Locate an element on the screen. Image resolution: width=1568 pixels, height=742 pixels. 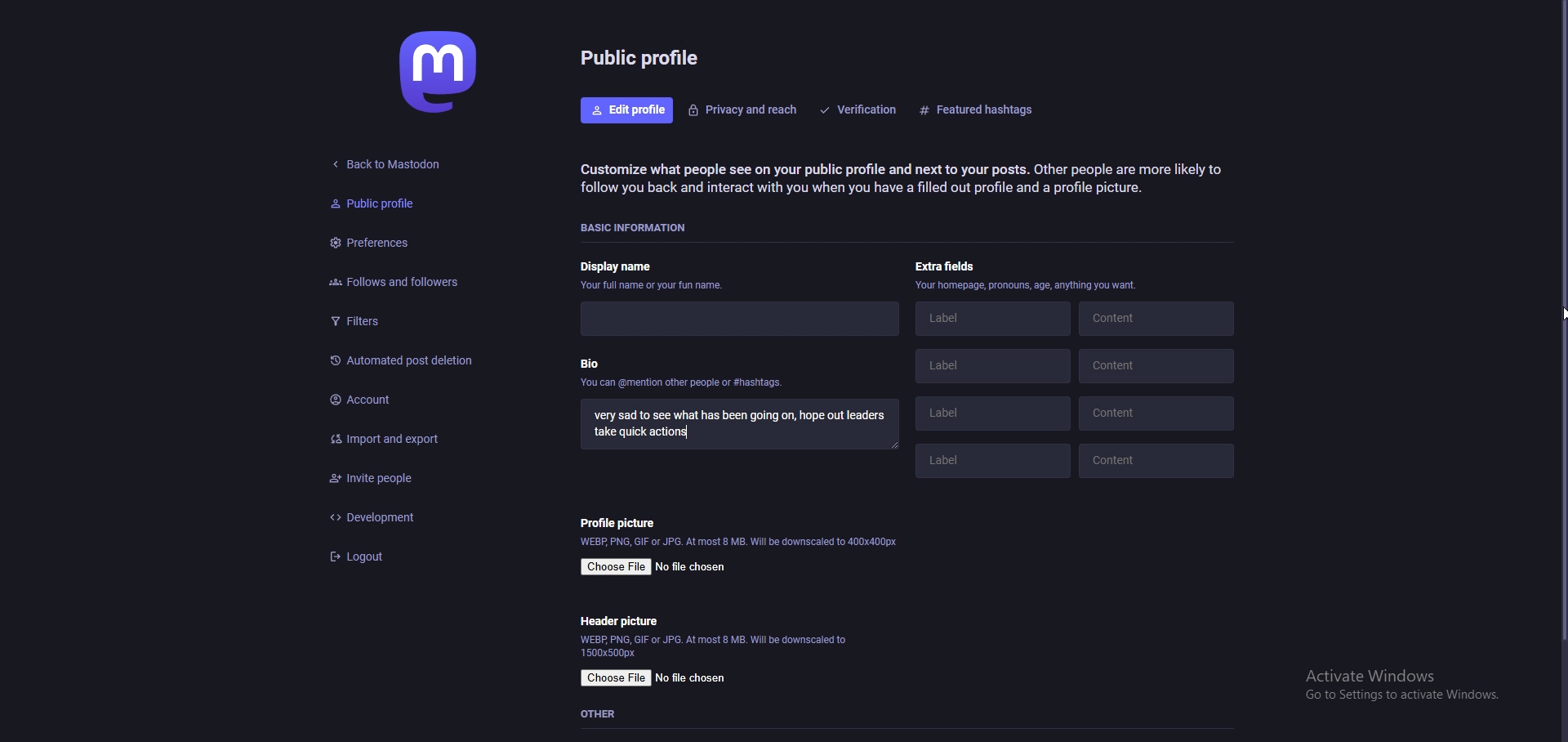
choose file is located at coordinates (618, 678).